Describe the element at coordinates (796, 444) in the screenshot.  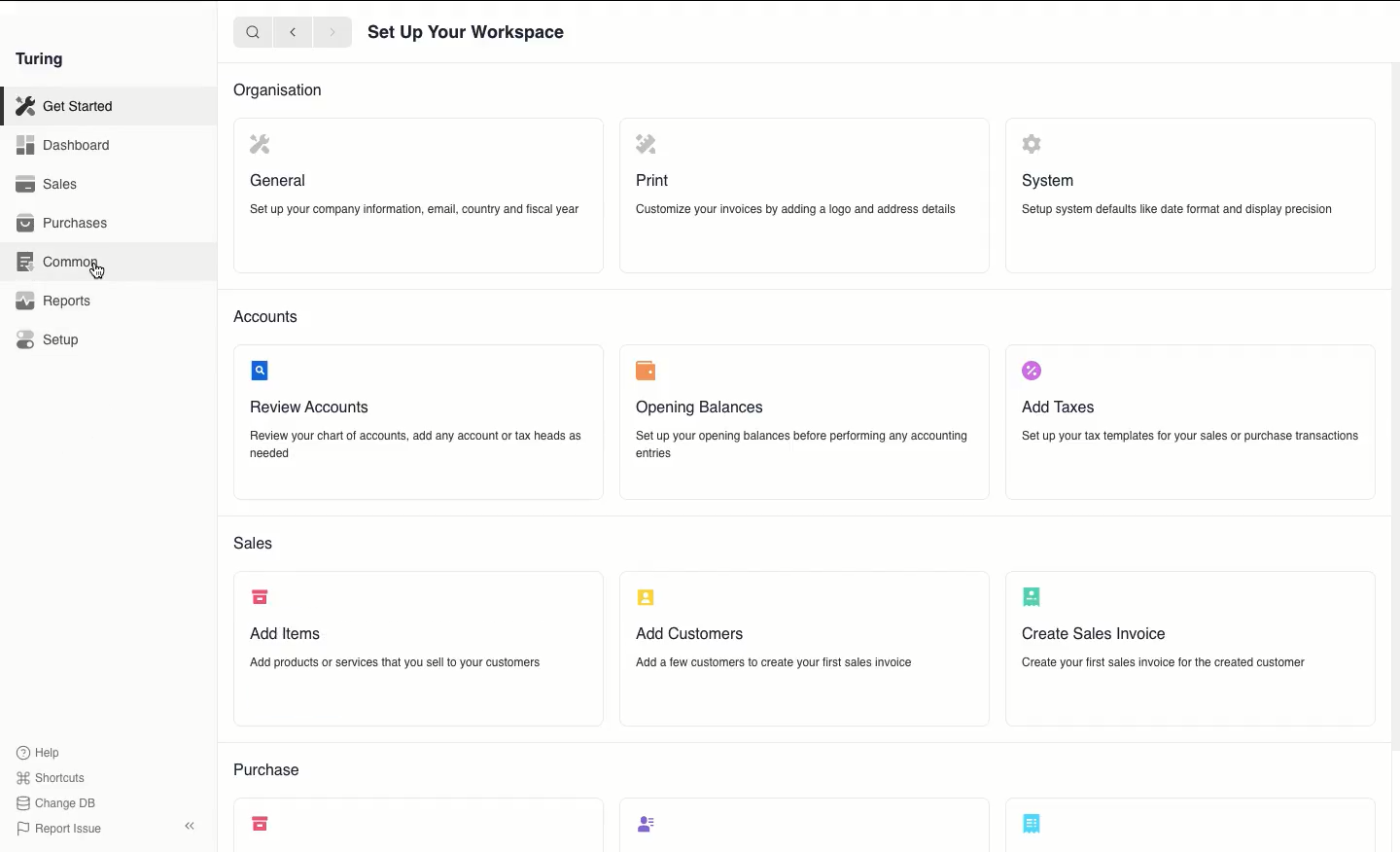
I see `Set up your opening balances before performing any accounting entries` at that location.